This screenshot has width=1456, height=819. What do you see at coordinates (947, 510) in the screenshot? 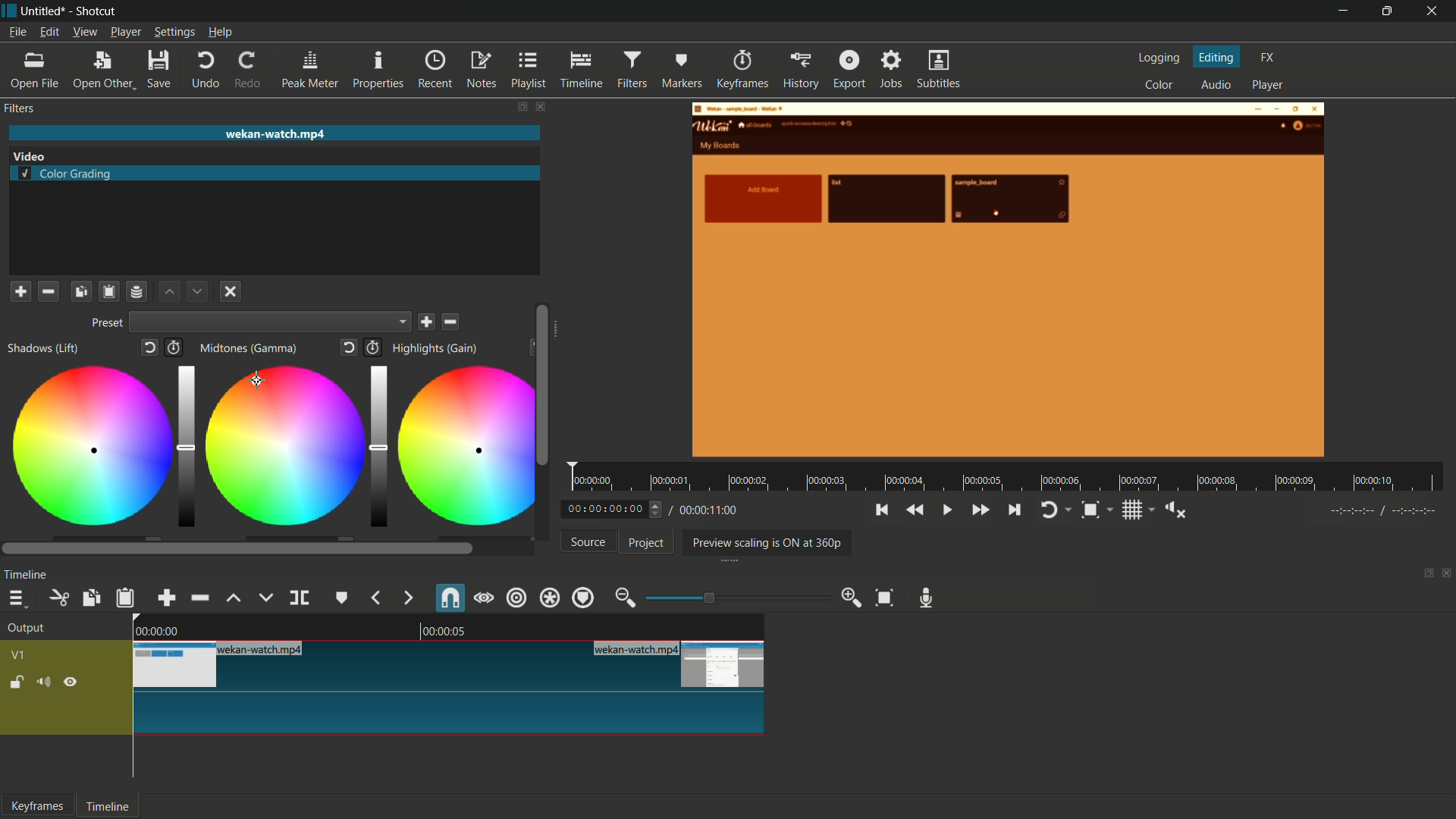
I see `toggle play or pause` at bounding box center [947, 510].